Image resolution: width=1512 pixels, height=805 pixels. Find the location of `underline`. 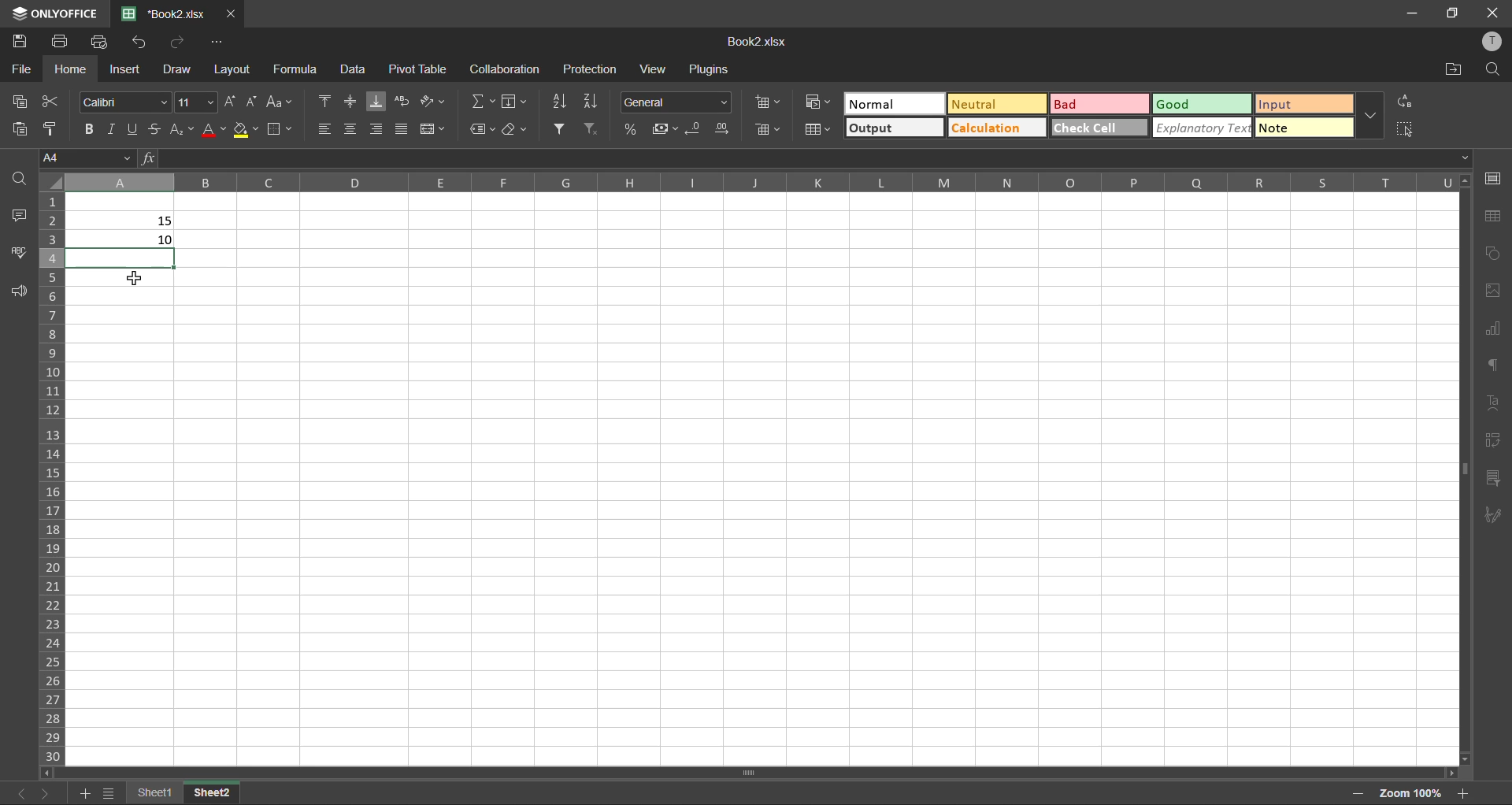

underline is located at coordinates (132, 127).